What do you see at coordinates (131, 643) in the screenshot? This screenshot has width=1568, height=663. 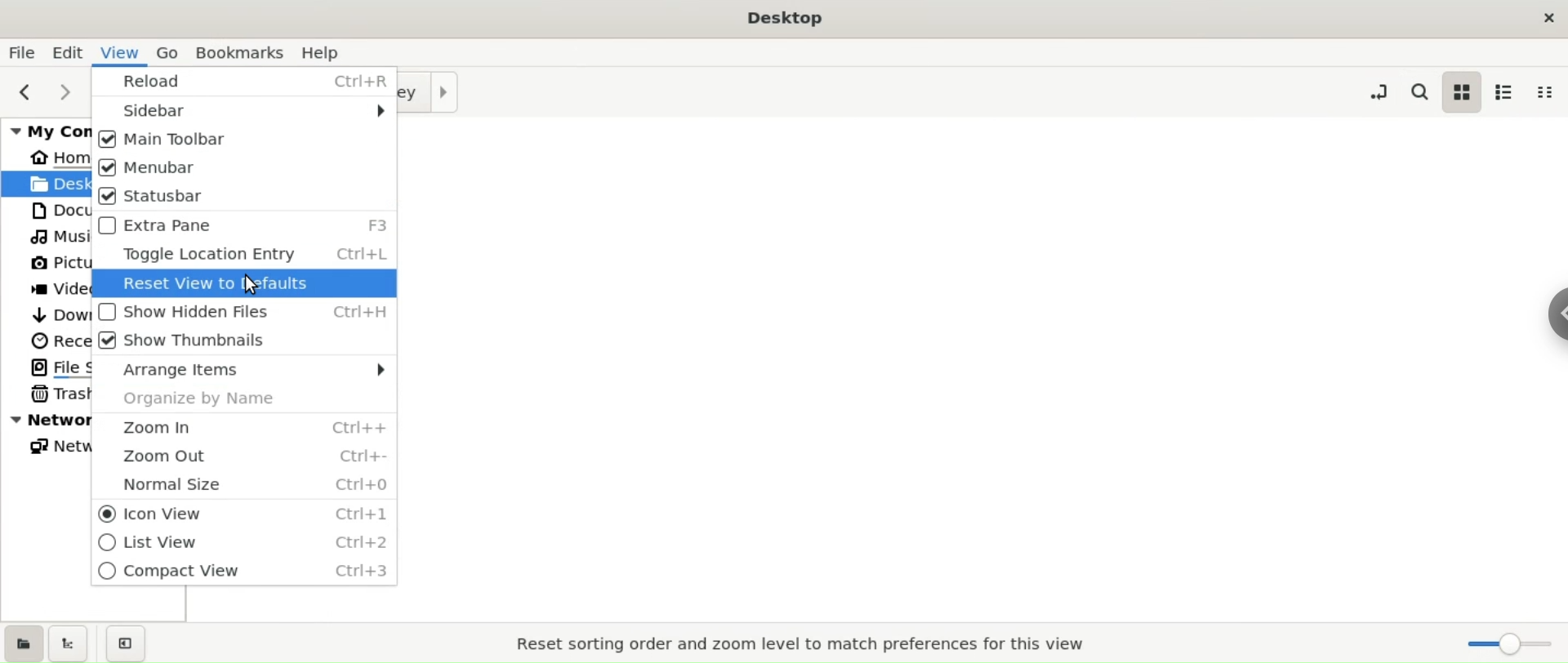 I see `close sidebars` at bounding box center [131, 643].